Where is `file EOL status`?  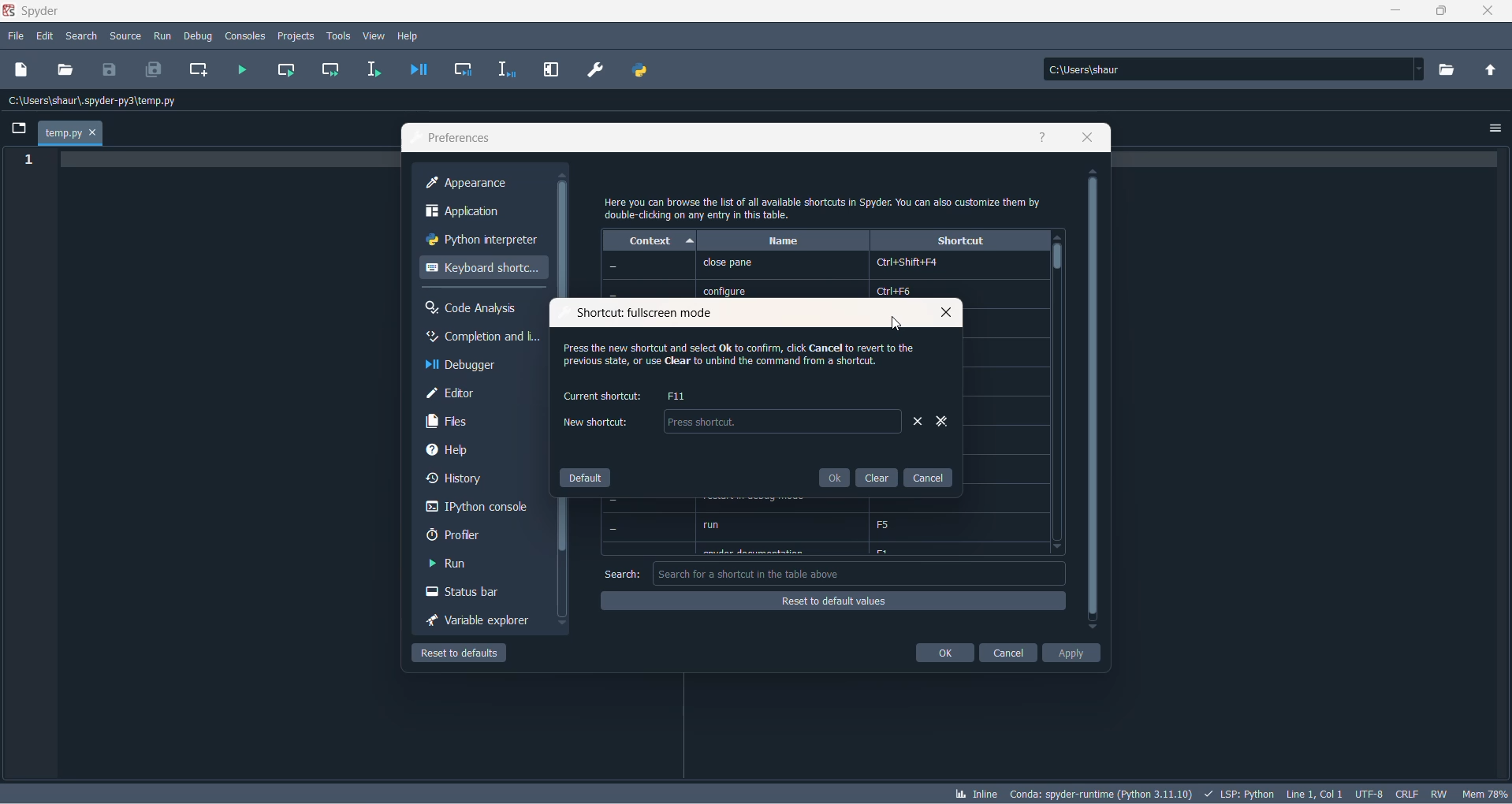 file EOL status is located at coordinates (1408, 794).